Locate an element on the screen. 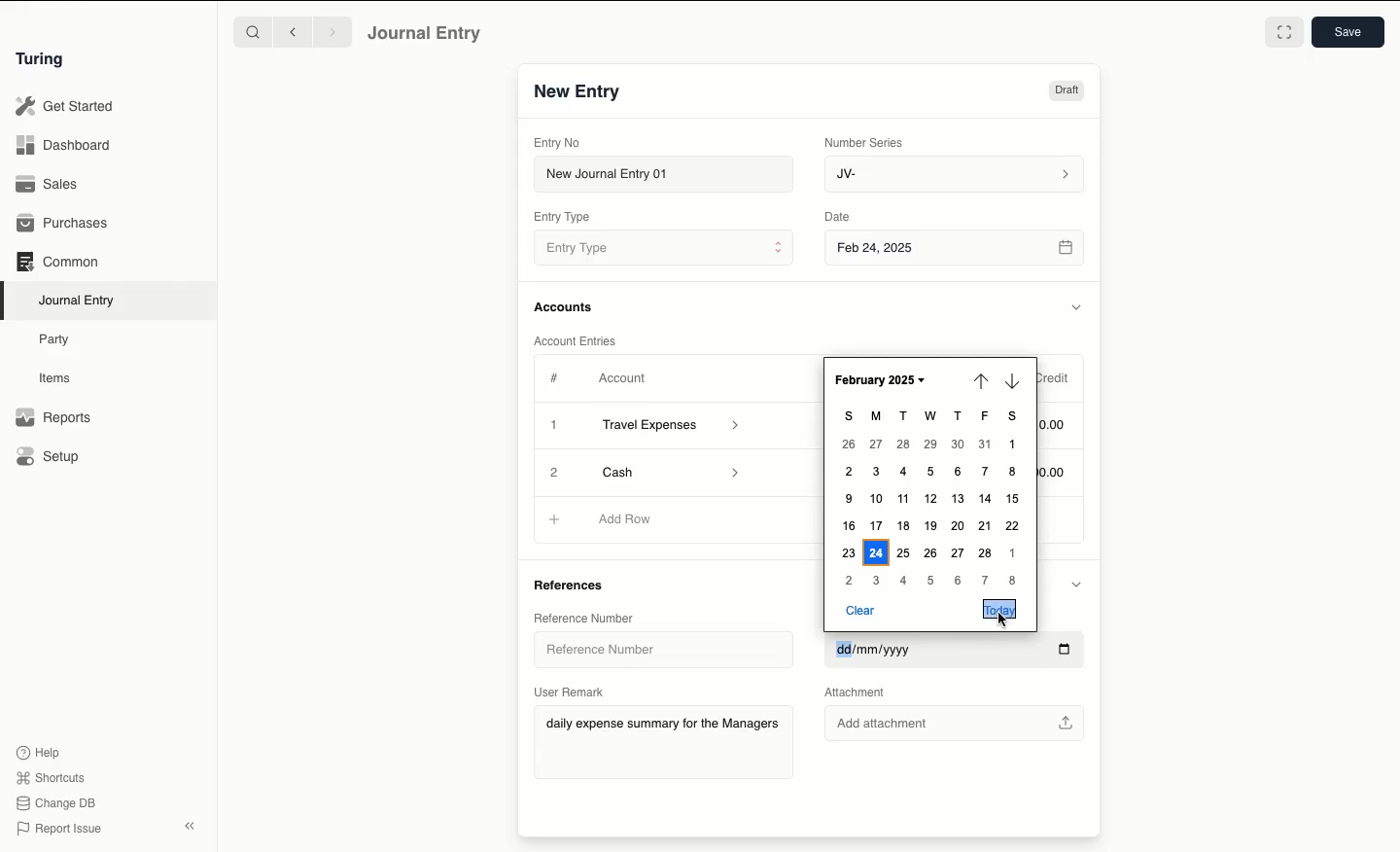  Number Series is located at coordinates (867, 143).